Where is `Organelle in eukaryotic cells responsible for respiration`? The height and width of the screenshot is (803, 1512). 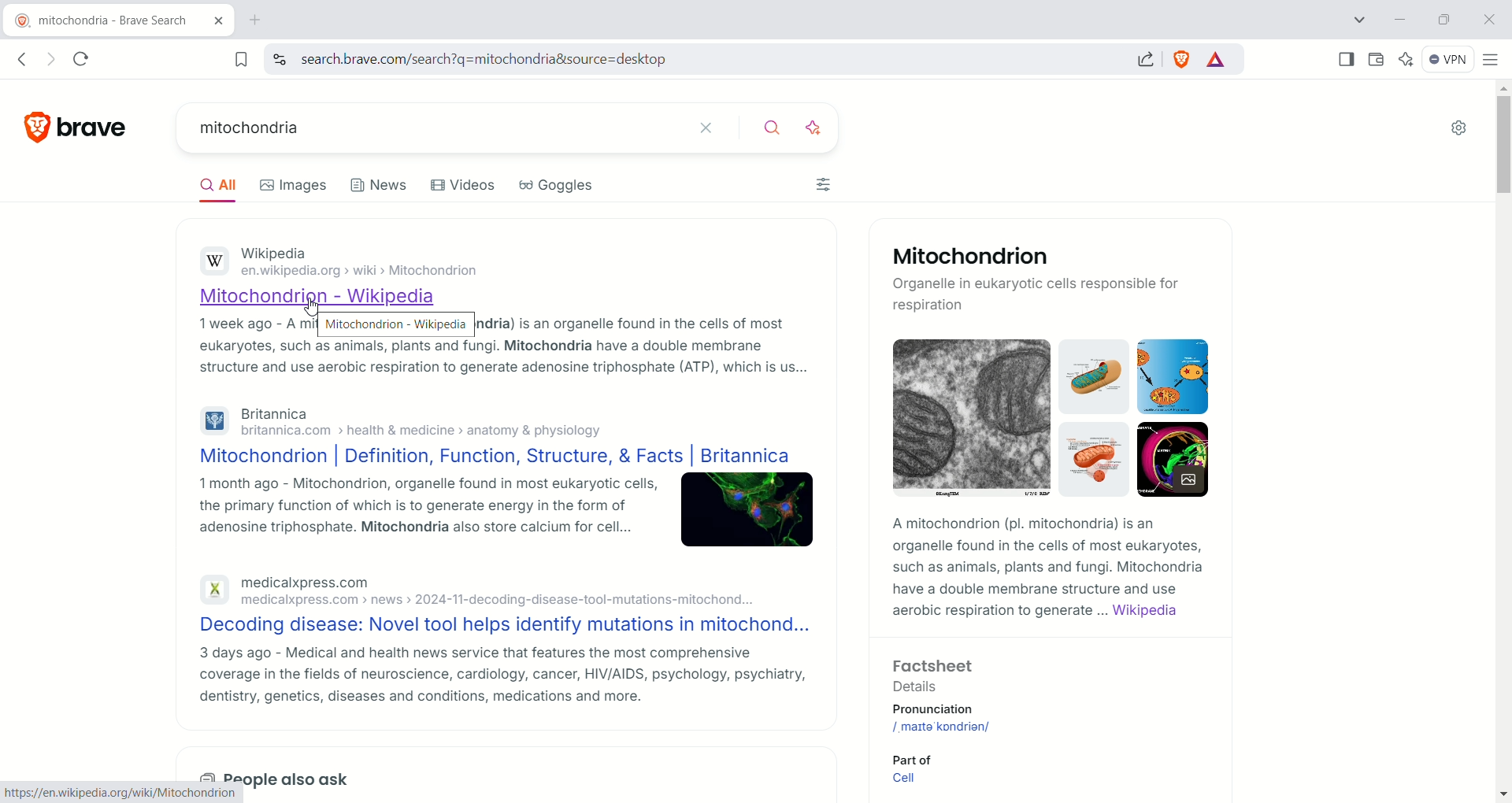 Organelle in eukaryotic cells responsible for respiration is located at coordinates (1048, 296).